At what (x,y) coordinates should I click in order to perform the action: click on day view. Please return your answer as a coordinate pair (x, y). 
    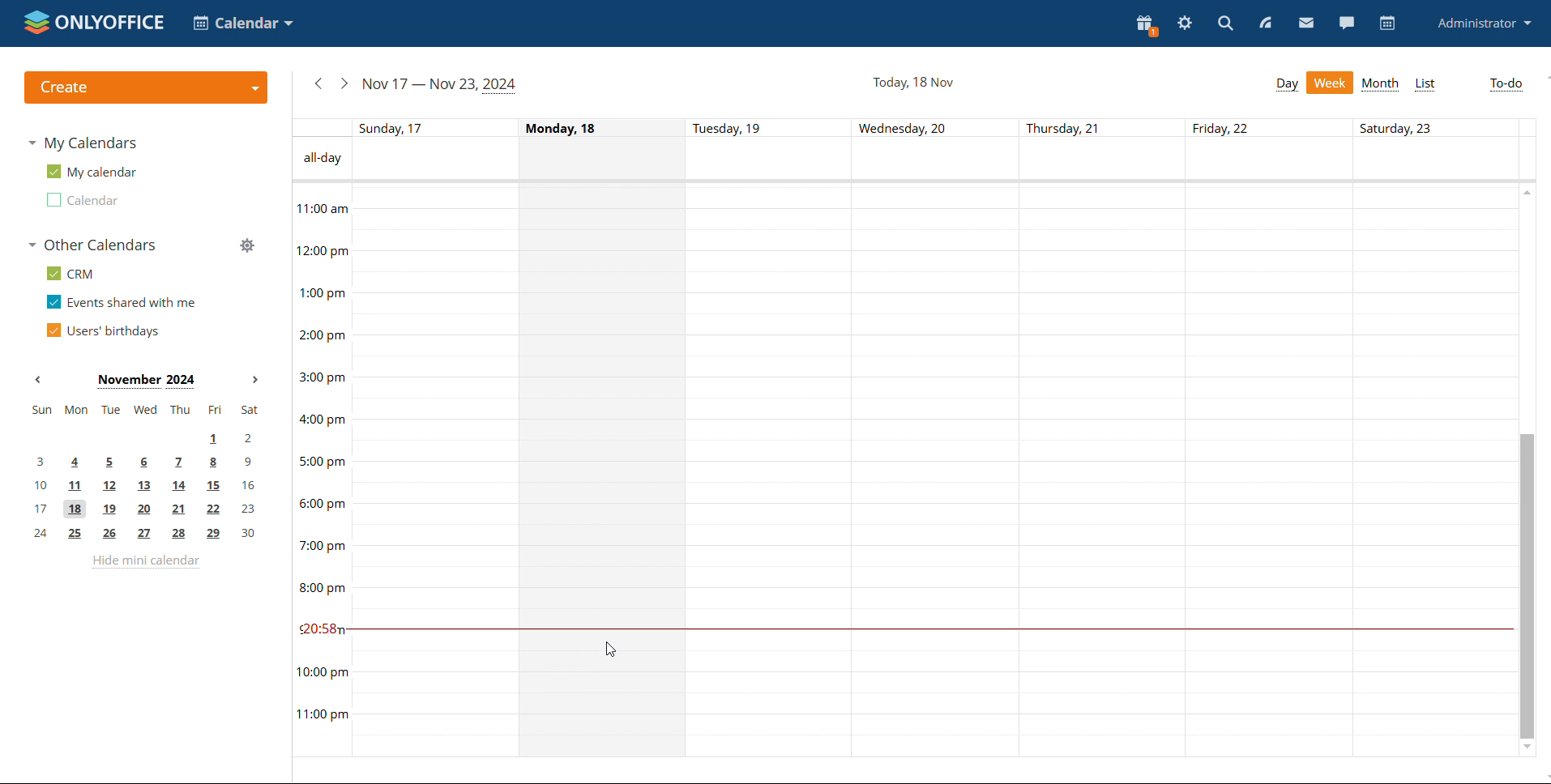
    Looking at the image, I should click on (1288, 83).